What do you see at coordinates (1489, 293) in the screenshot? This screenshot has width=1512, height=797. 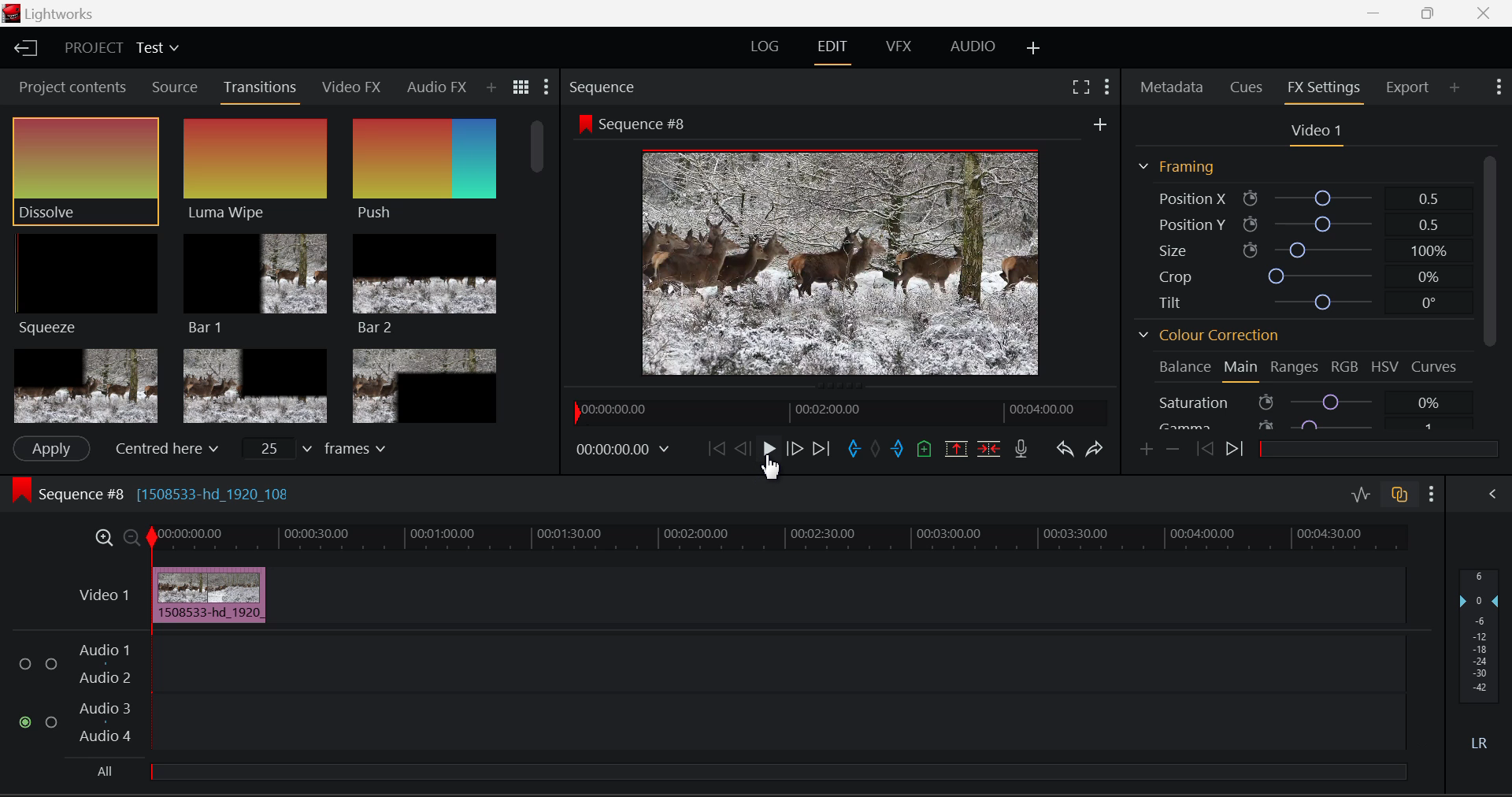 I see `Scroll Bar` at bounding box center [1489, 293].